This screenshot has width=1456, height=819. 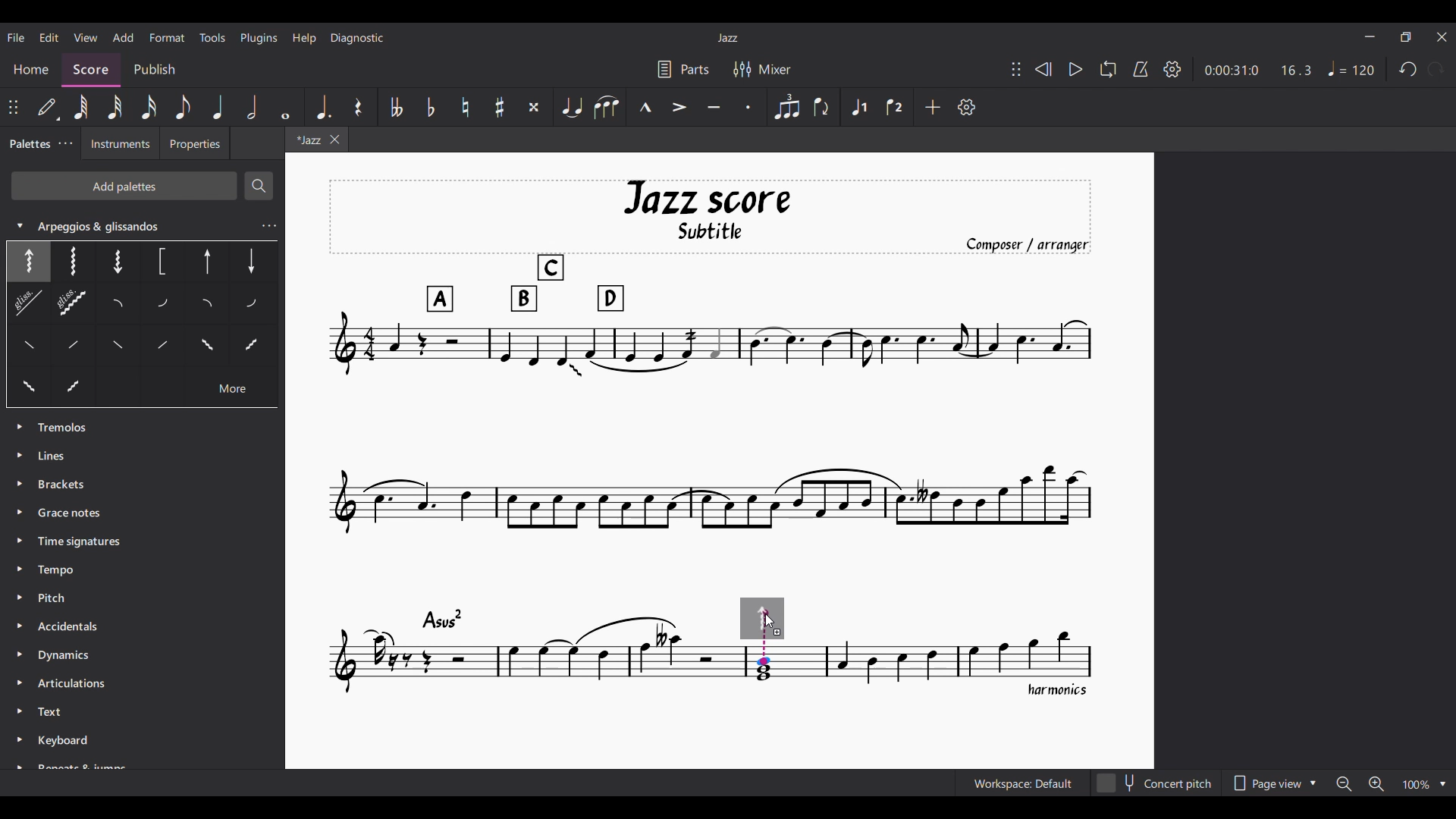 What do you see at coordinates (59, 568) in the screenshot?
I see `Tempo` at bounding box center [59, 568].